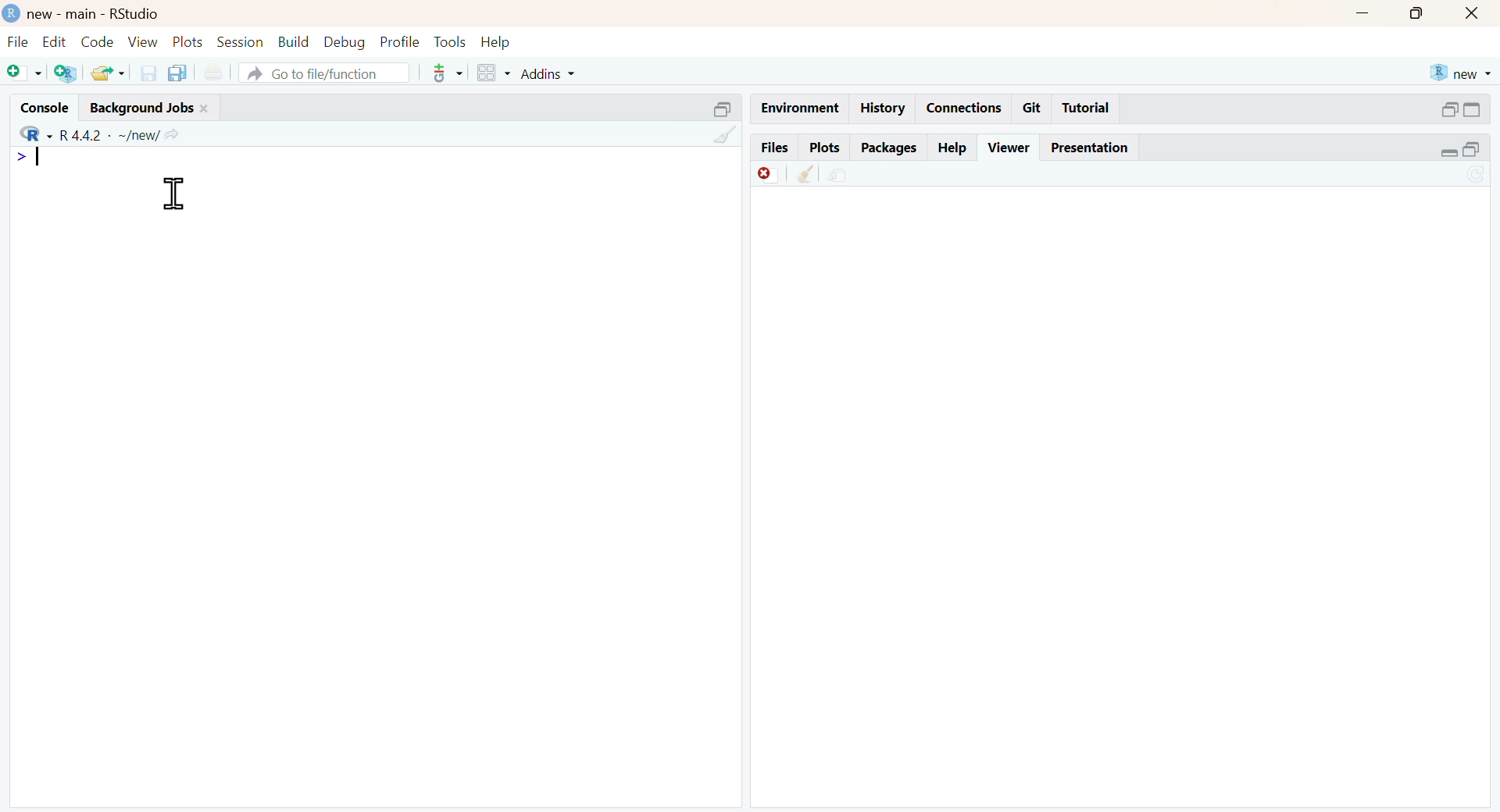 Image resolution: width=1500 pixels, height=812 pixels. What do you see at coordinates (402, 42) in the screenshot?
I see `profile` at bounding box center [402, 42].